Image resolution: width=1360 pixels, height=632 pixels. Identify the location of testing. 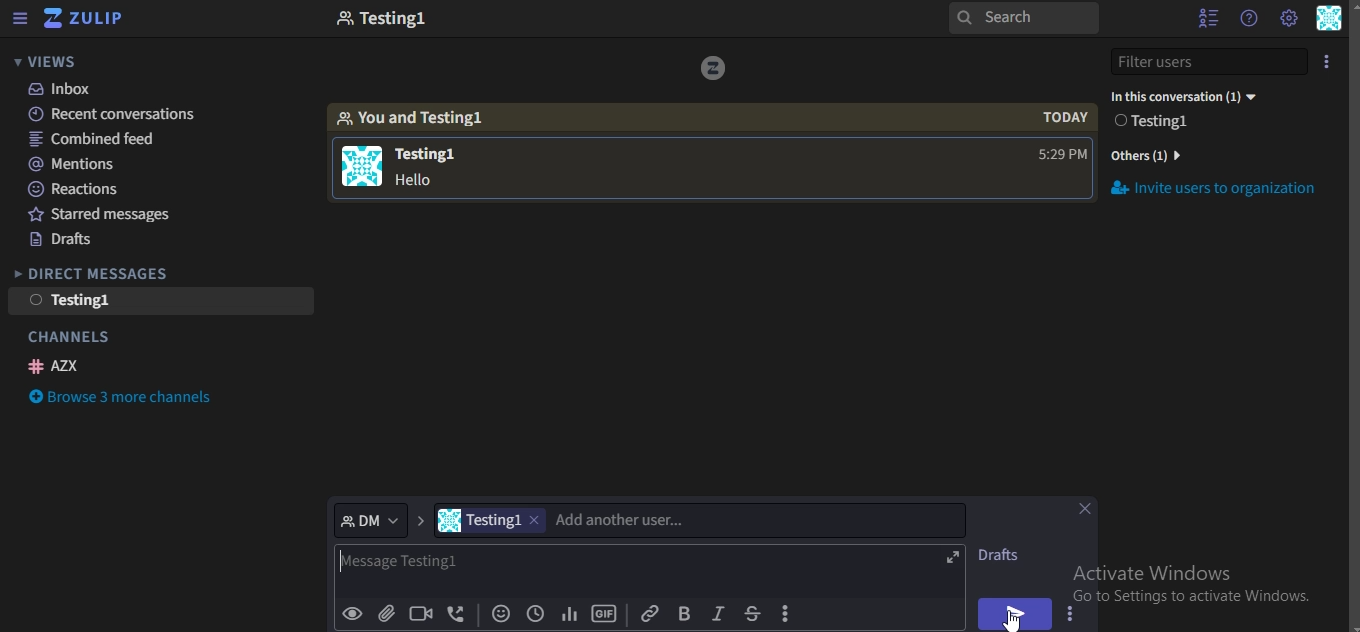
(1153, 123).